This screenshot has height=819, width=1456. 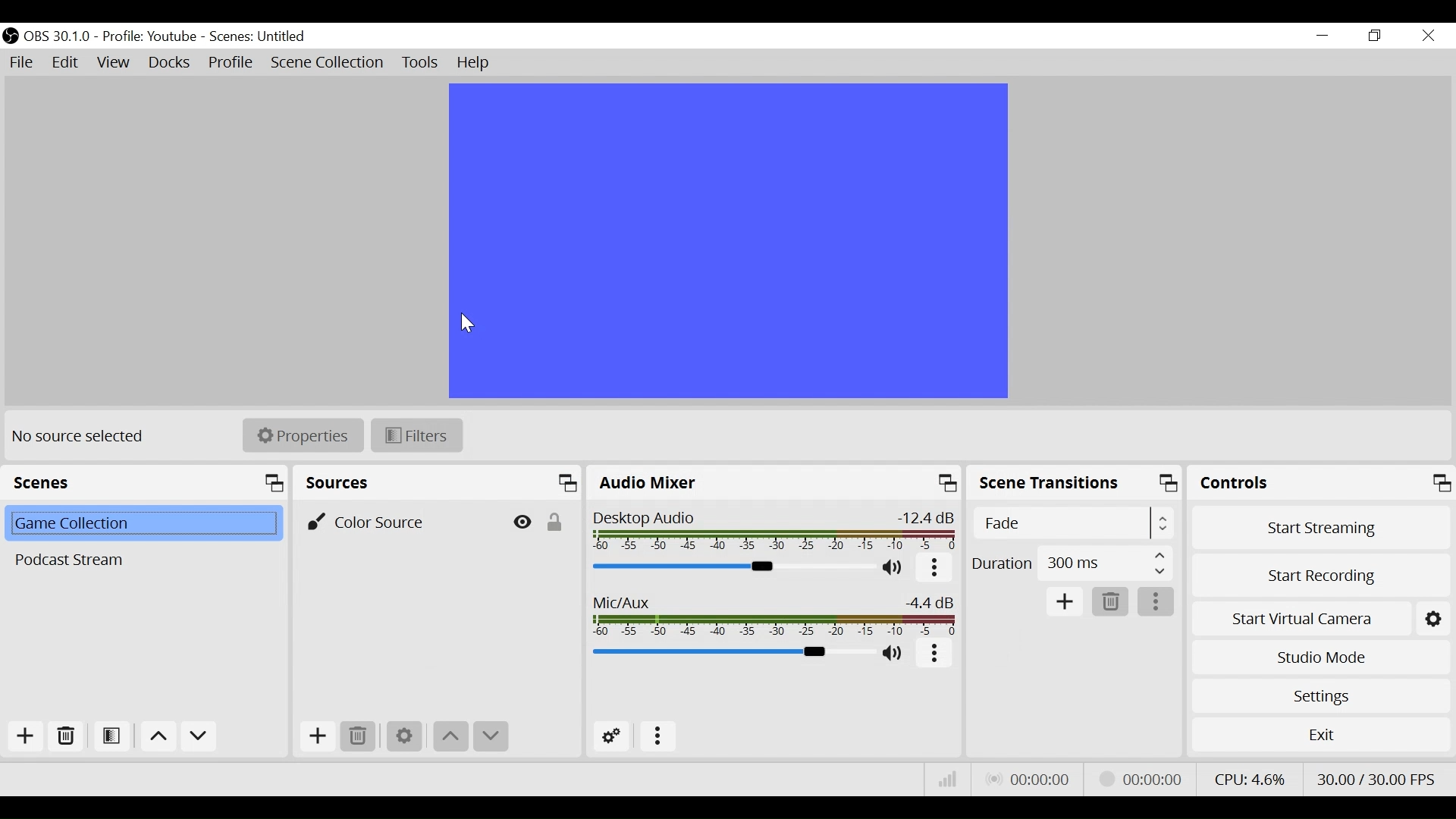 I want to click on more options, so click(x=934, y=654).